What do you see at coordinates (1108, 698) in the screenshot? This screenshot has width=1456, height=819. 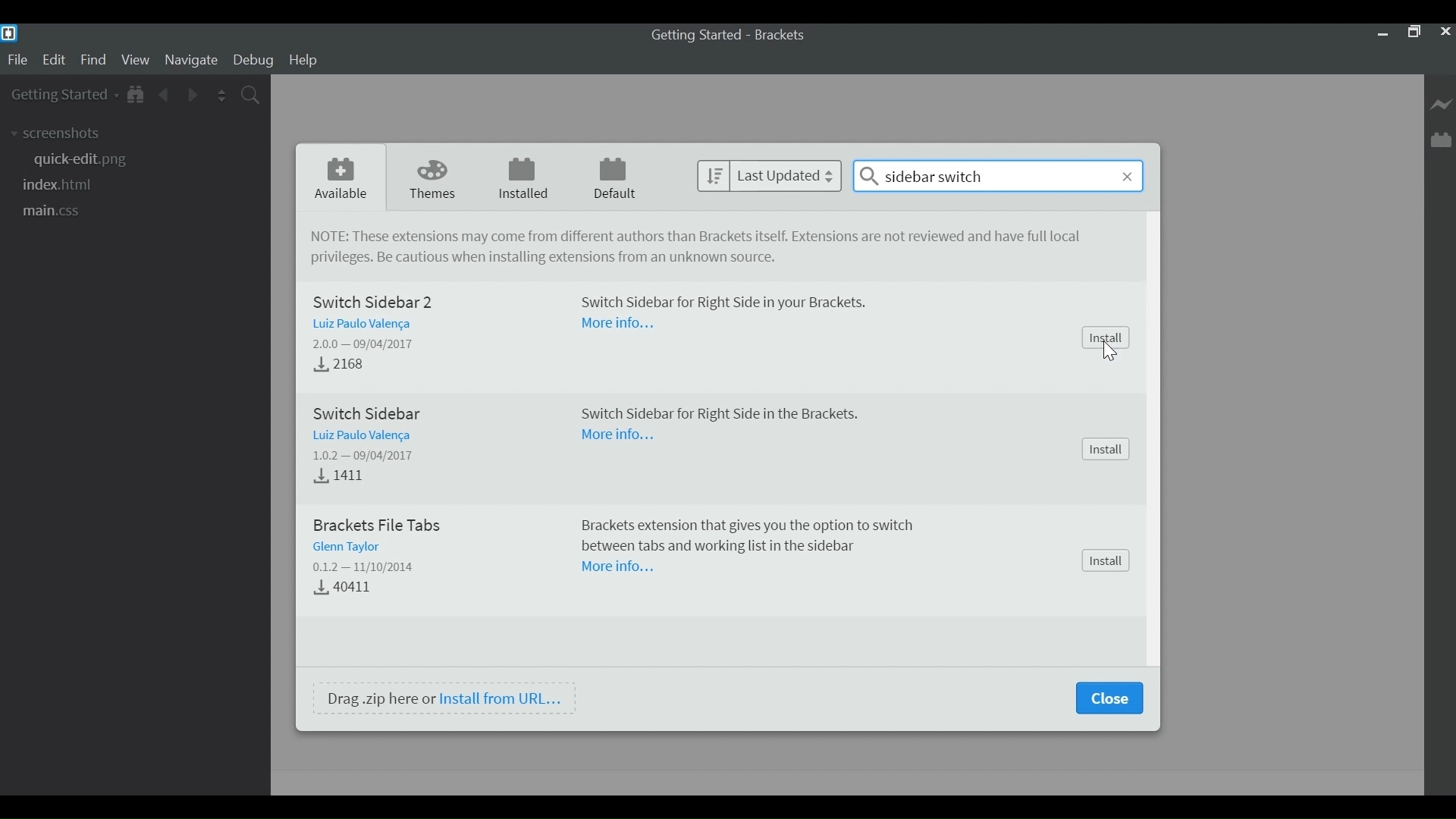 I see `Close` at bounding box center [1108, 698].